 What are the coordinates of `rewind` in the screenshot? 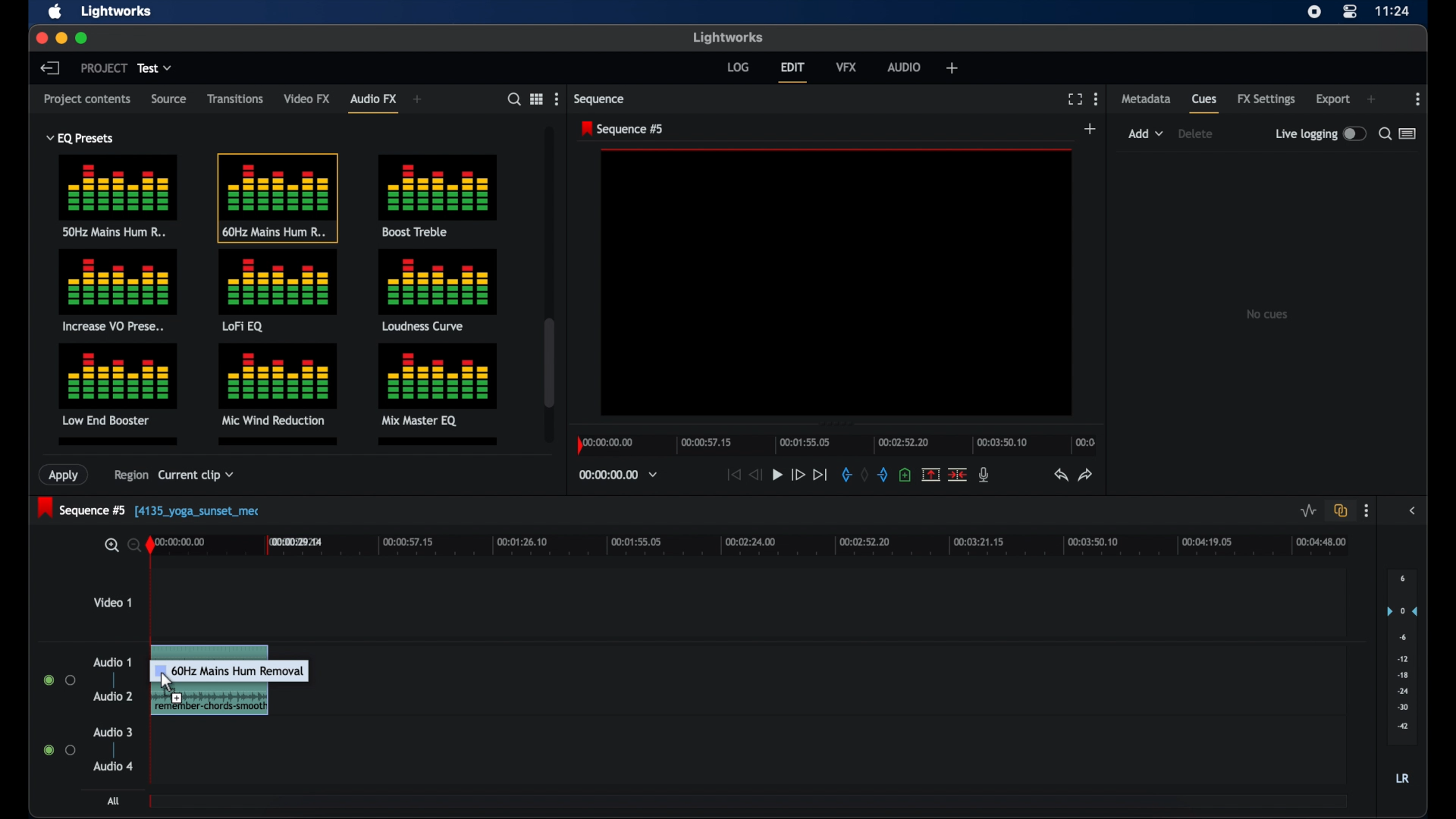 It's located at (754, 475).